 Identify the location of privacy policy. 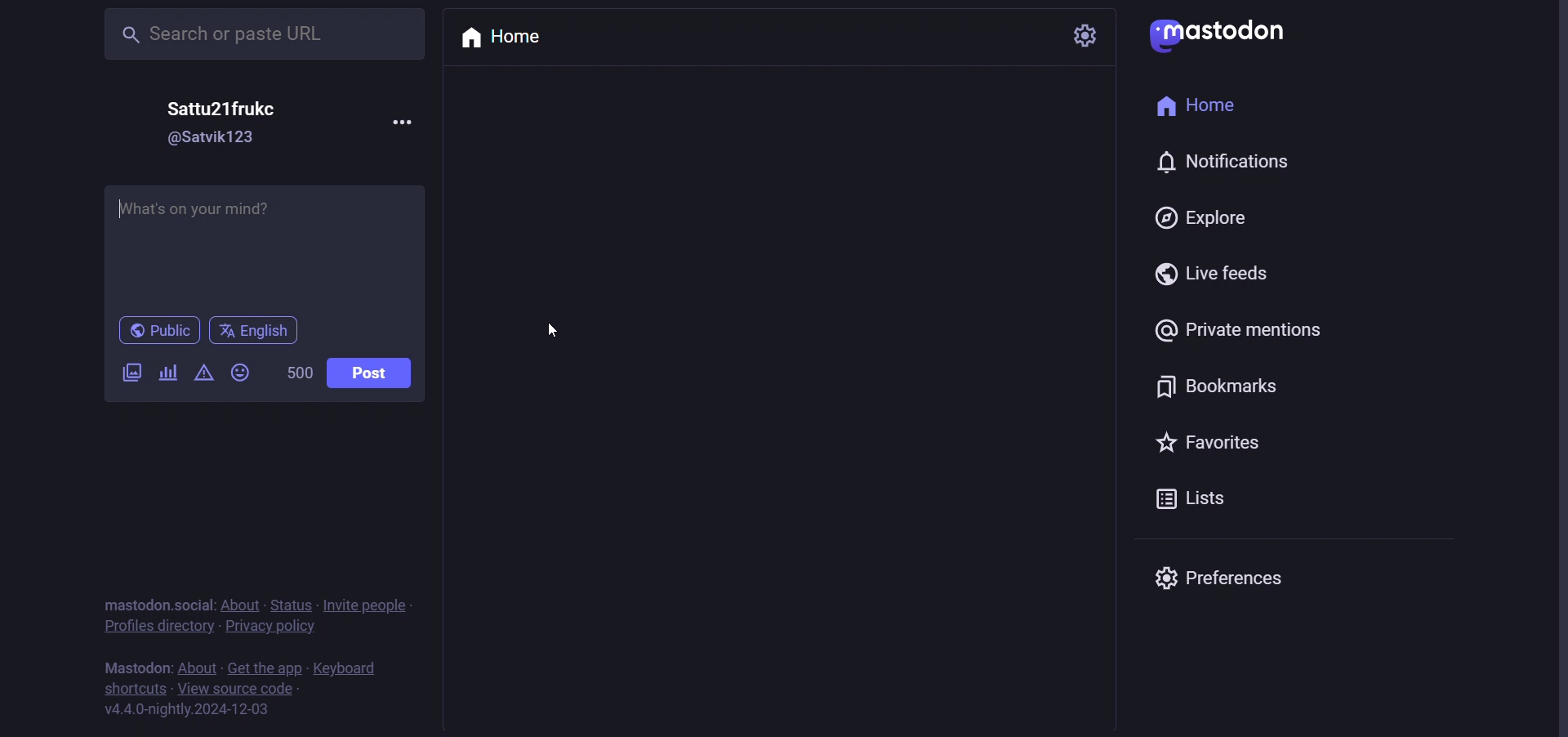
(269, 629).